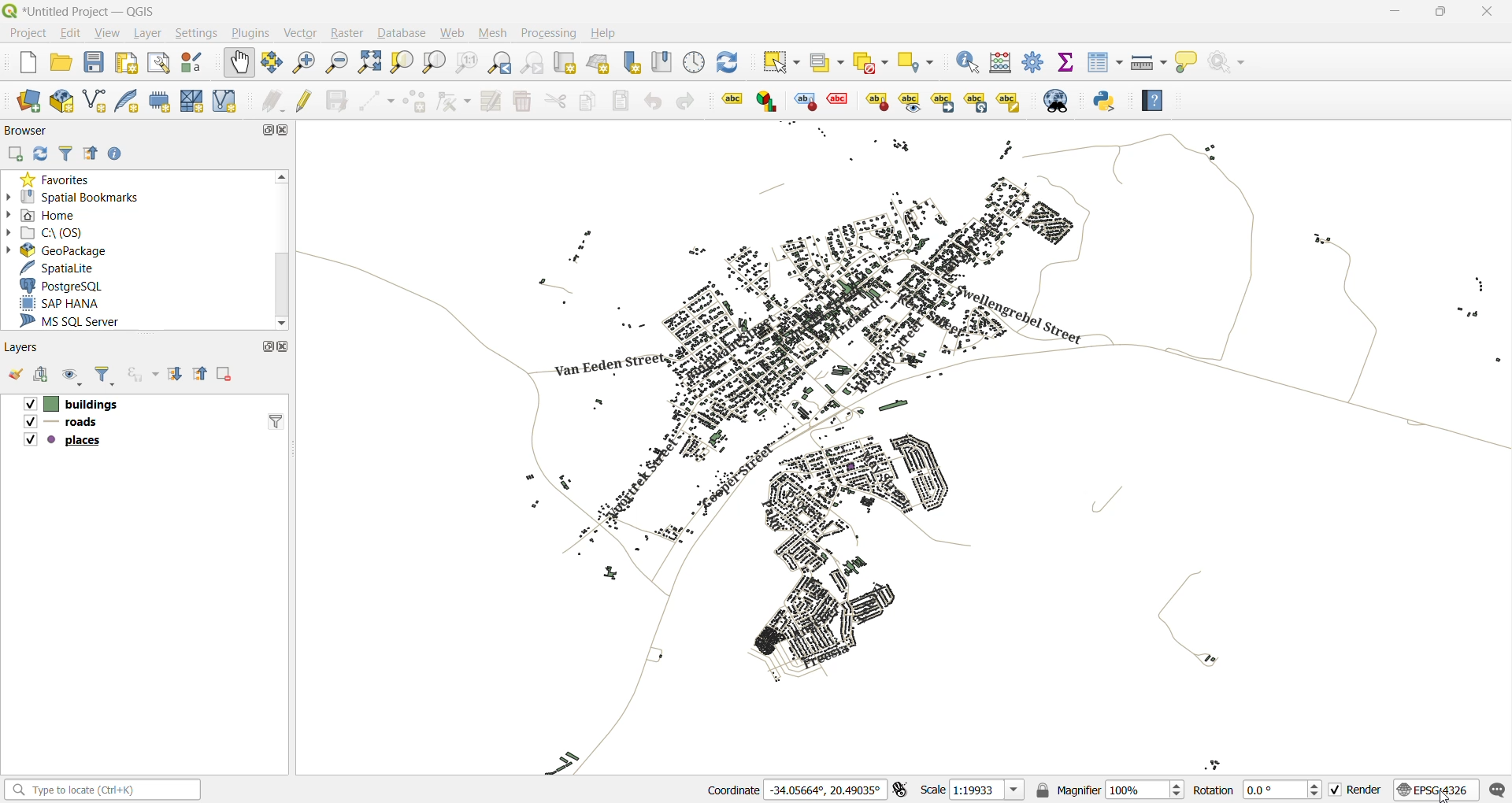 This screenshot has height=803, width=1512. Describe the element at coordinates (628, 63) in the screenshot. I see `new spatial bookmarks` at that location.